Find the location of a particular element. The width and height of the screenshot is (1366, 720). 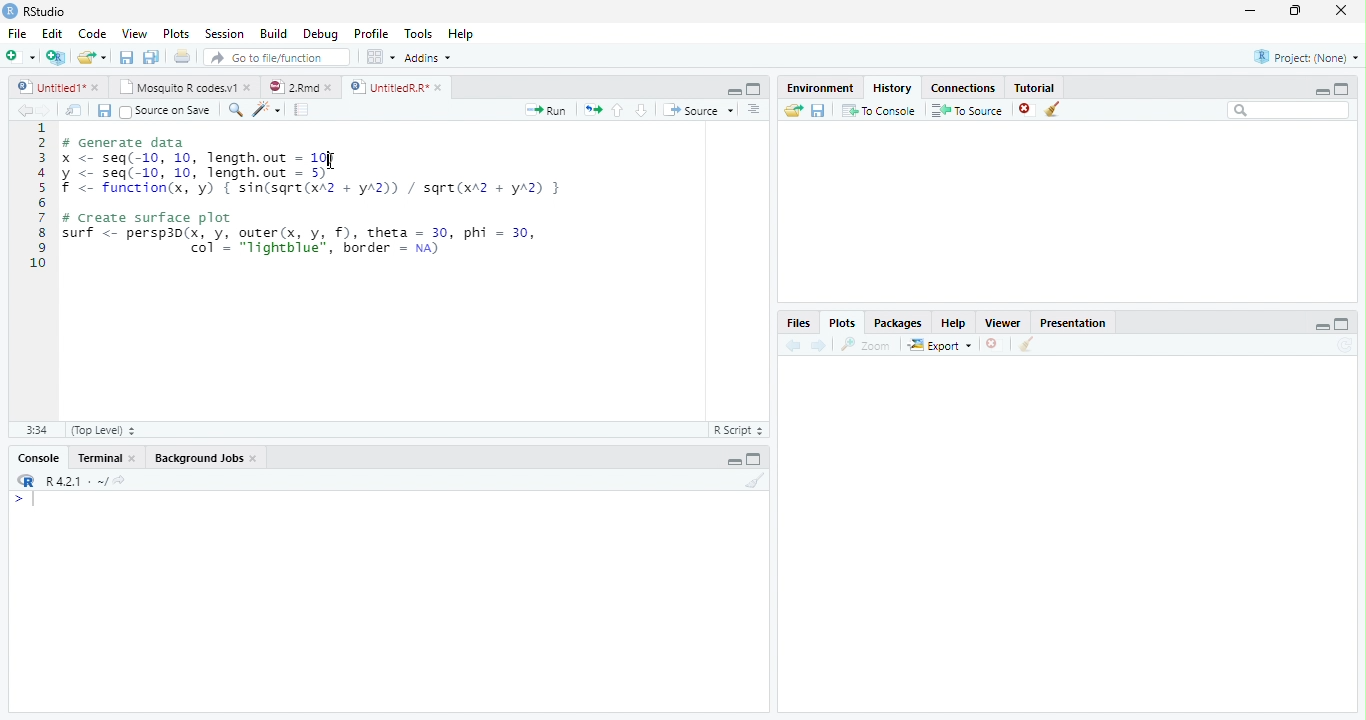

New file is located at coordinates (19, 57).